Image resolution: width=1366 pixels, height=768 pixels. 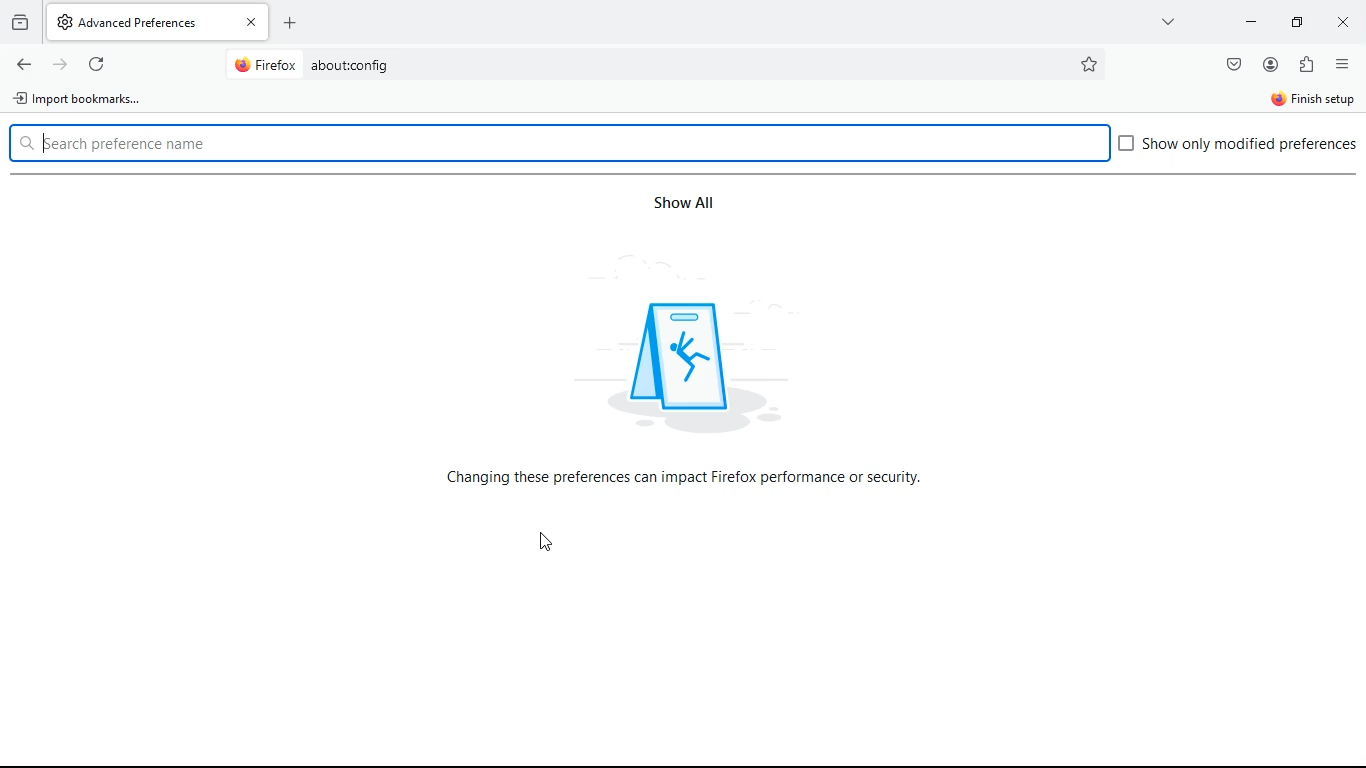 What do you see at coordinates (264, 65) in the screenshot?
I see `@ Firefox` at bounding box center [264, 65].